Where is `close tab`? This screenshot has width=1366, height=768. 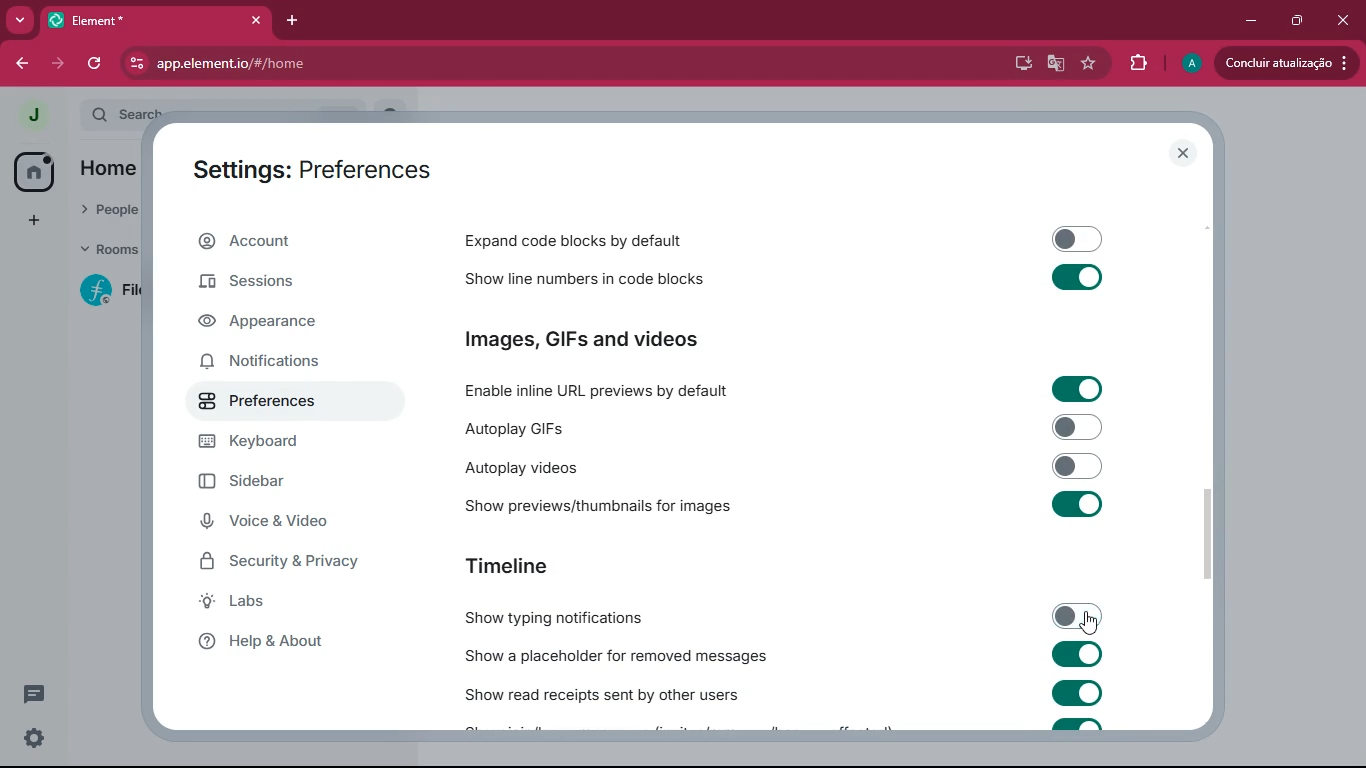
close tab is located at coordinates (256, 20).